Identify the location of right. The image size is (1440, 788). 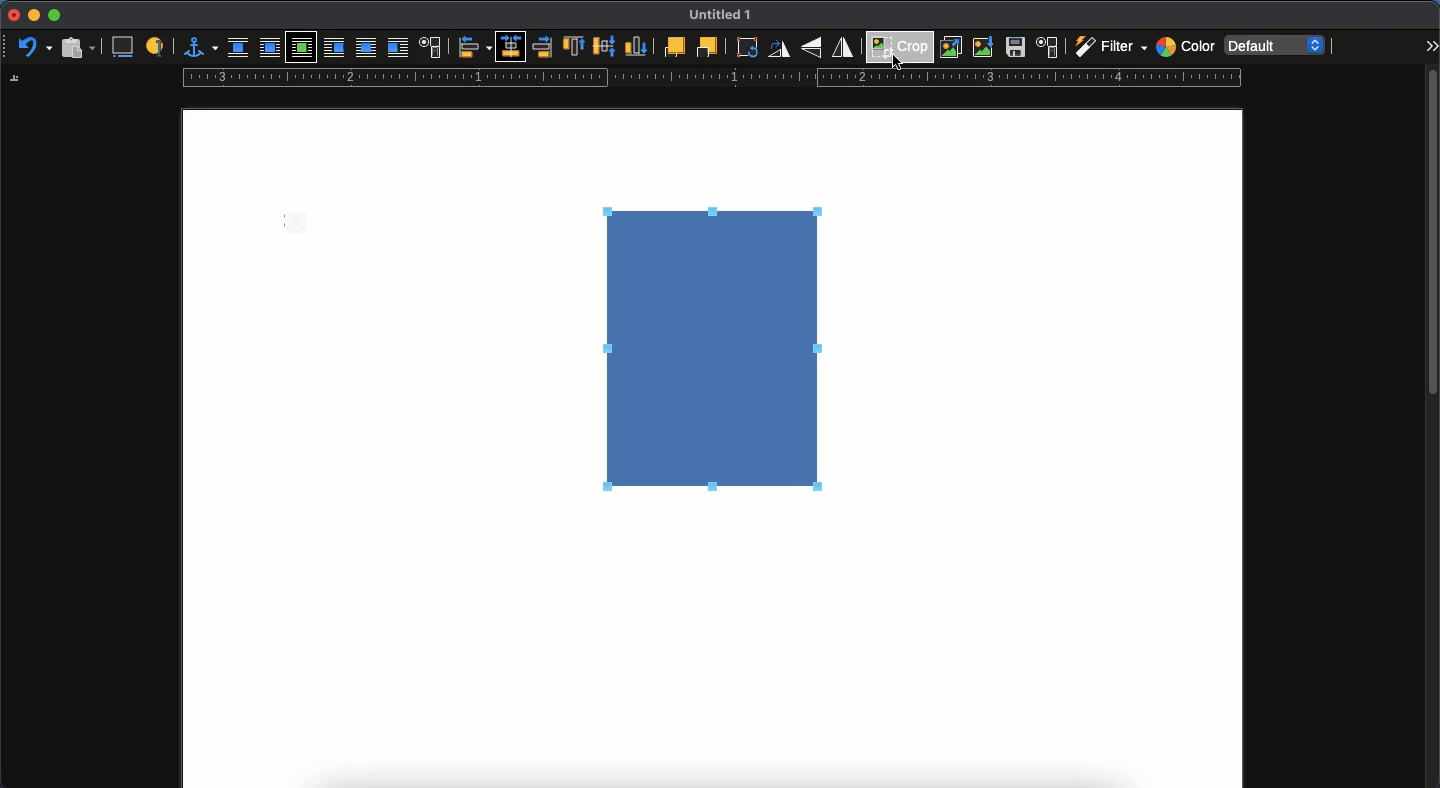
(544, 47).